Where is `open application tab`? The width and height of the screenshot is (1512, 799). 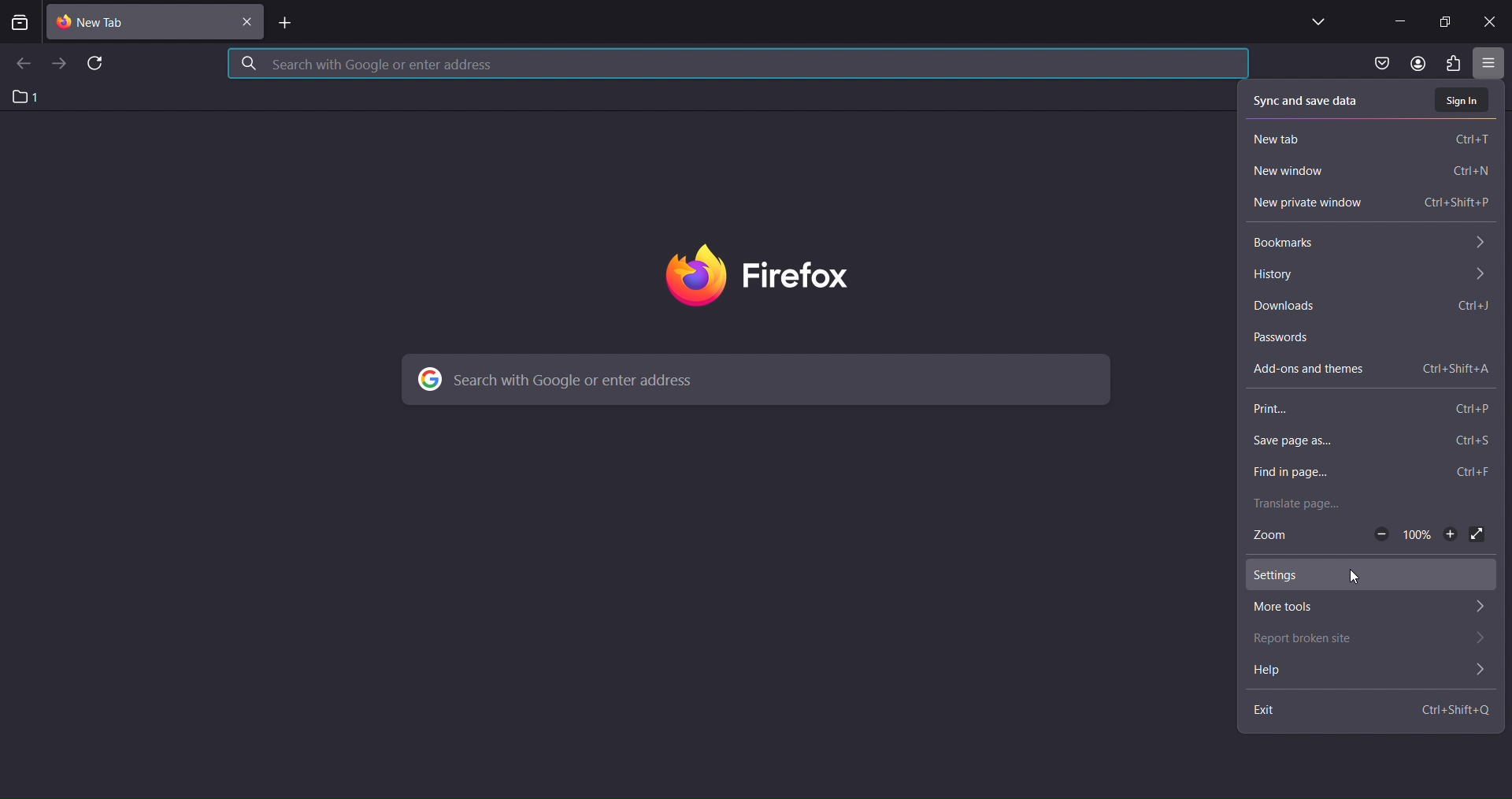 open application tab is located at coordinates (1487, 66).